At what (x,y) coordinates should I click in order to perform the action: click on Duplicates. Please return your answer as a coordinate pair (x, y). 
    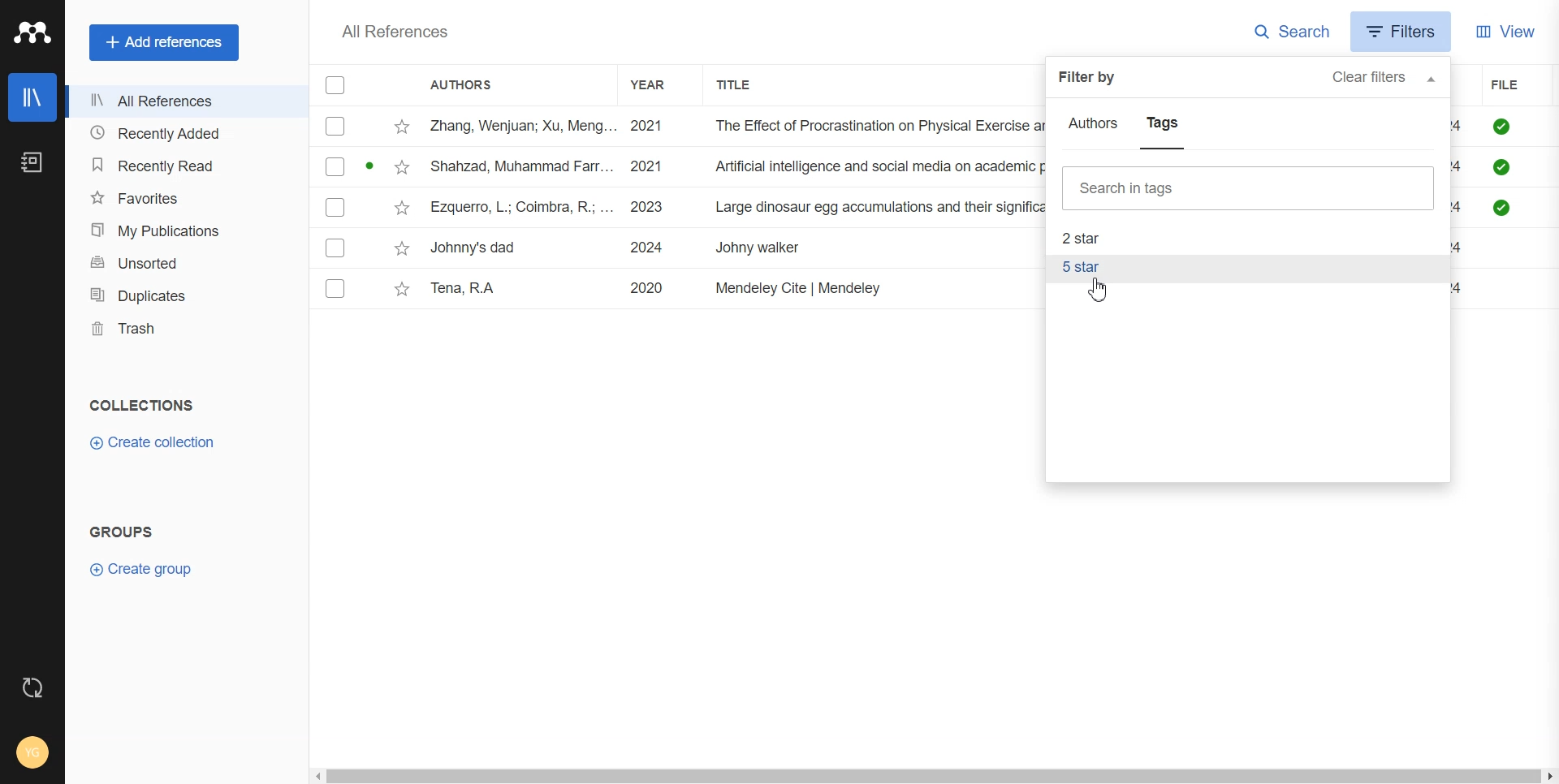
    Looking at the image, I should click on (184, 294).